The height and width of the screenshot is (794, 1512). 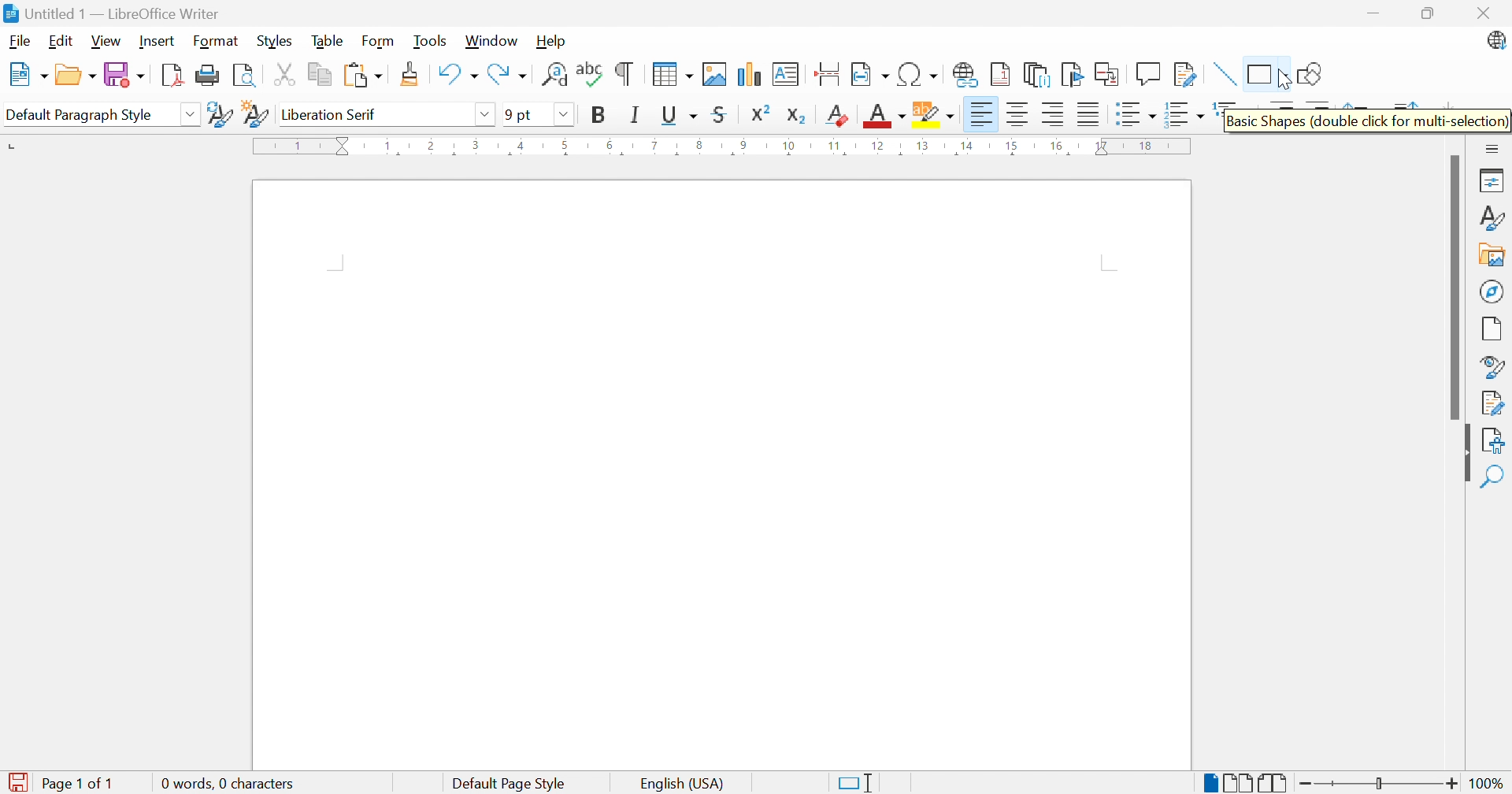 I want to click on Window, so click(x=491, y=41).